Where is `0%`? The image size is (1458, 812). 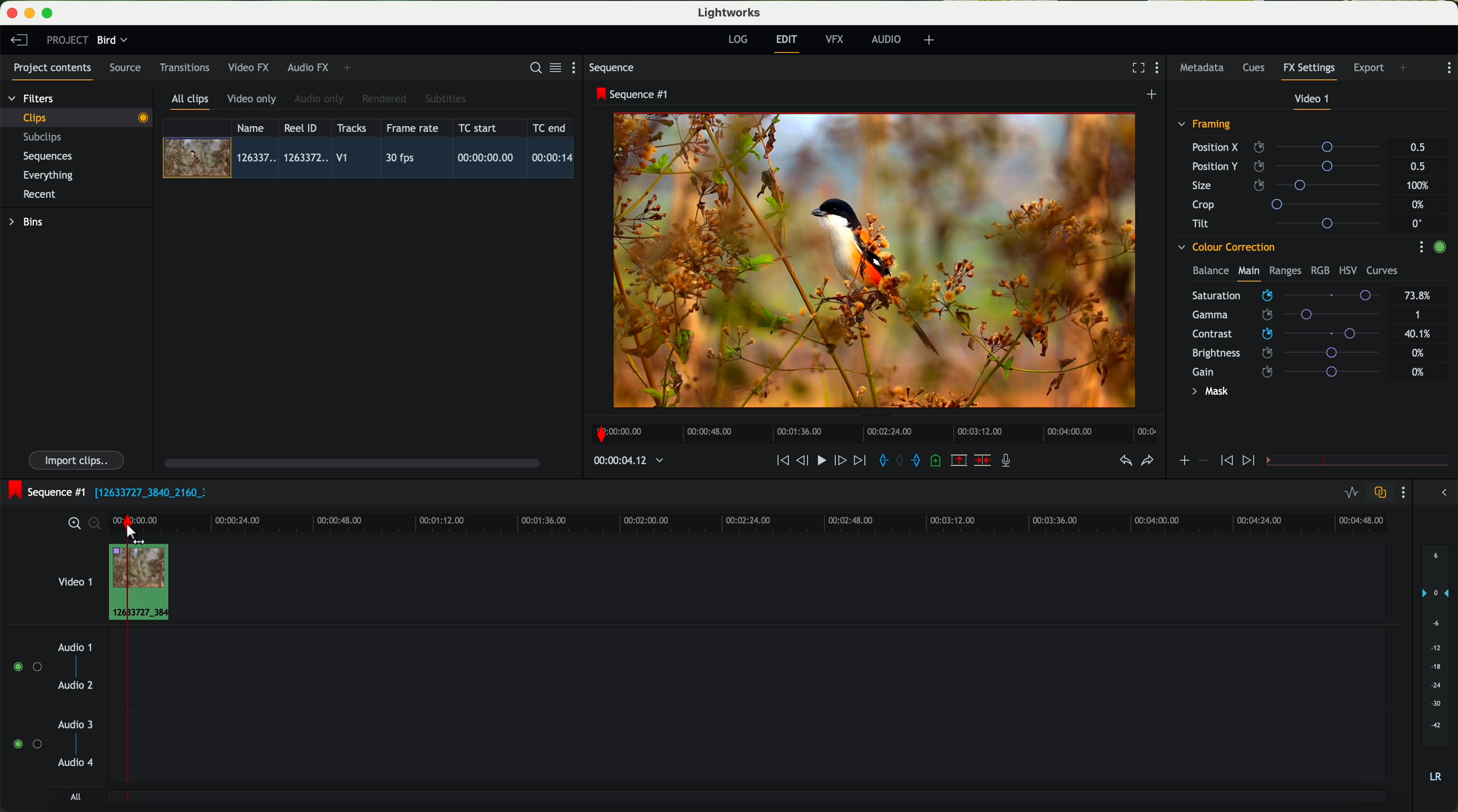
0% is located at coordinates (1418, 351).